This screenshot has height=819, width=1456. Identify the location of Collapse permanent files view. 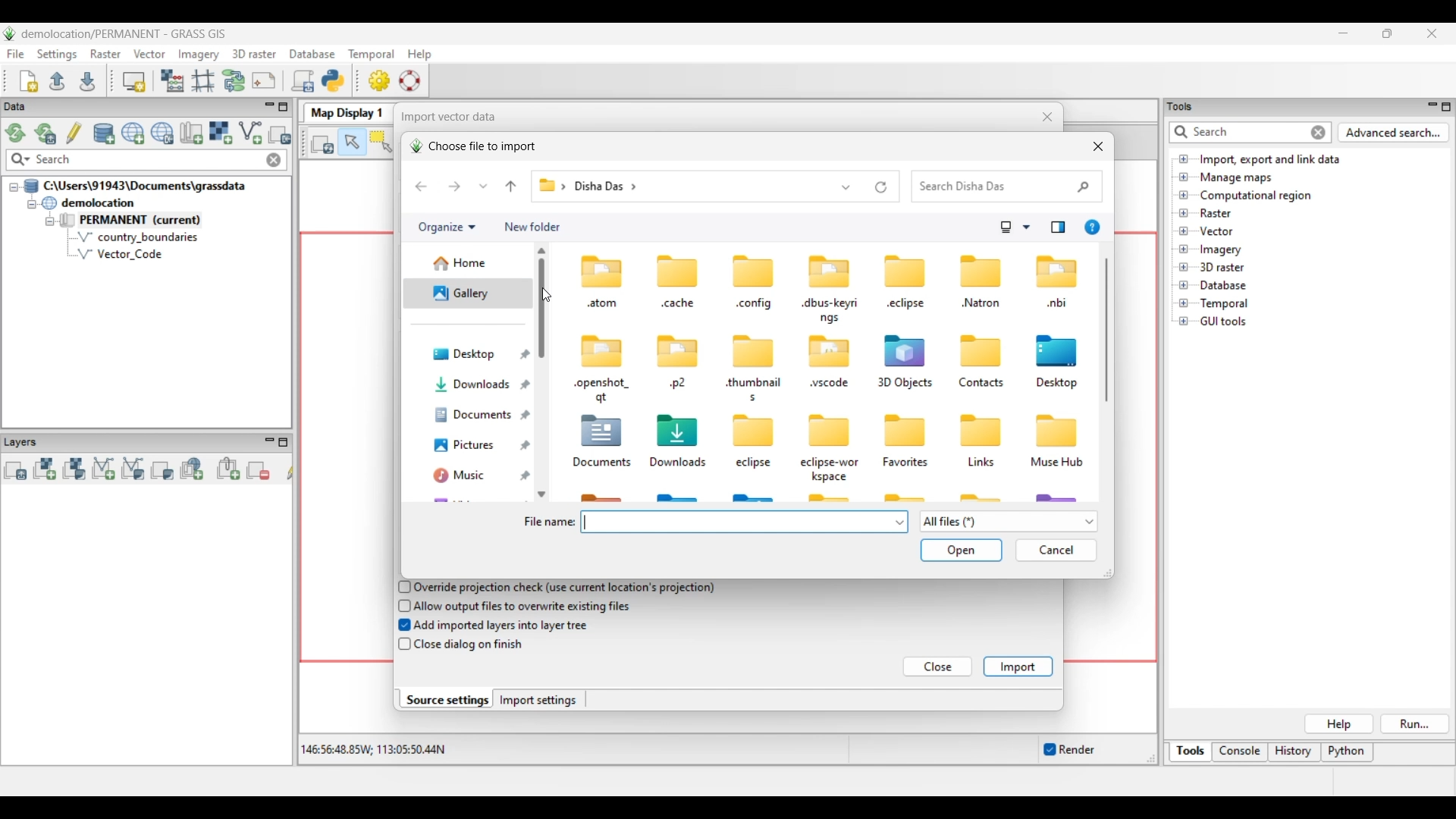
(50, 221).